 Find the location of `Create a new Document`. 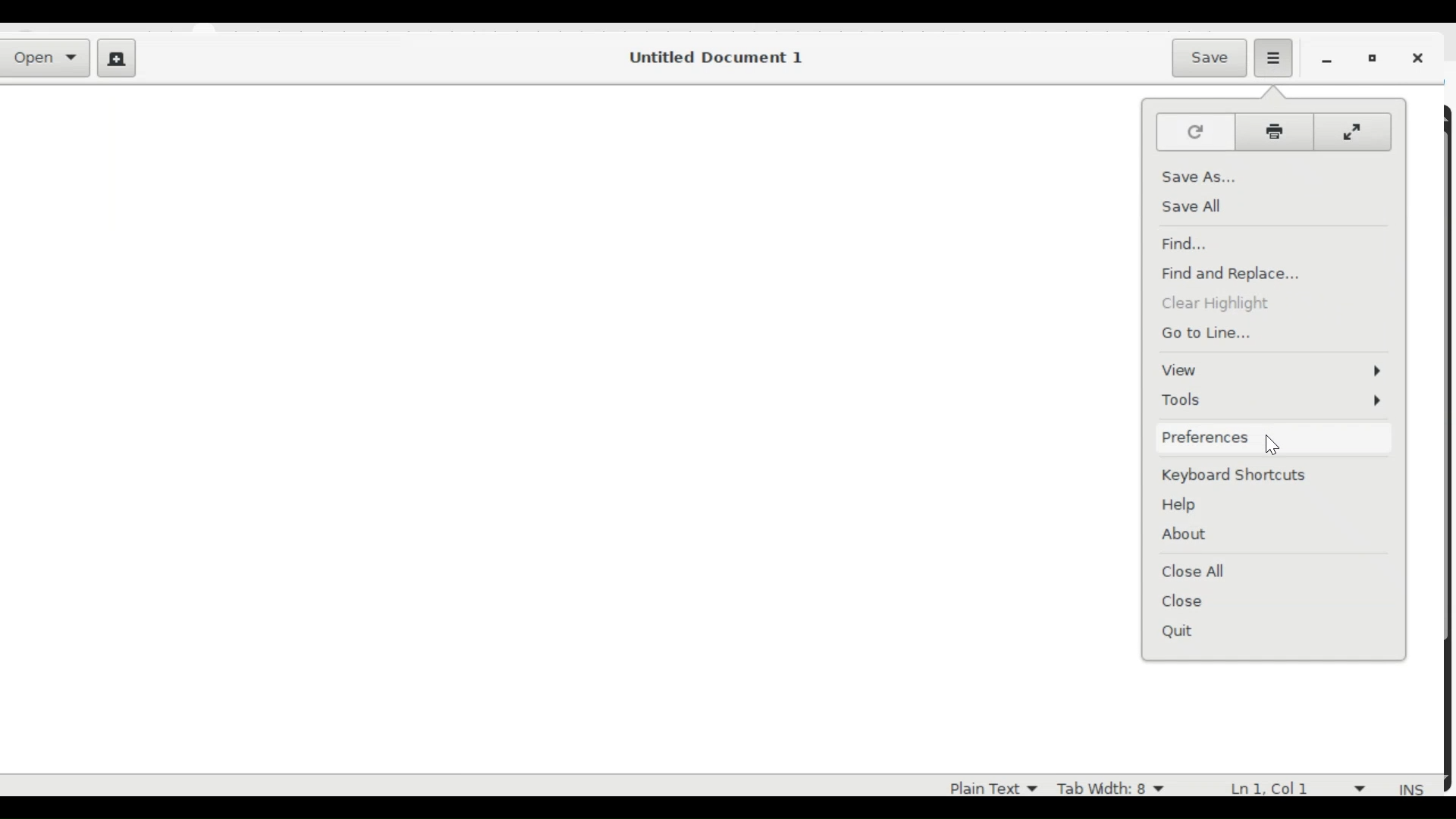

Create a new Document is located at coordinates (116, 60).